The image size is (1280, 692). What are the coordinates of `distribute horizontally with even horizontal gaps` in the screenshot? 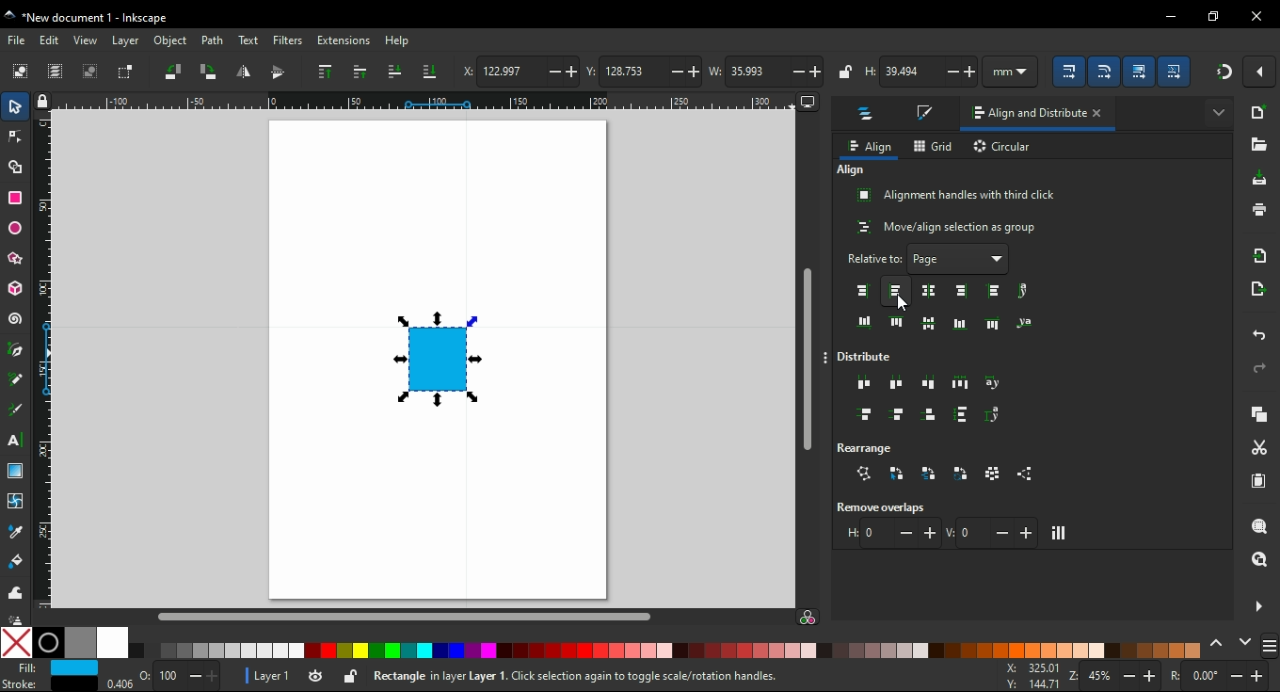 It's located at (962, 385).